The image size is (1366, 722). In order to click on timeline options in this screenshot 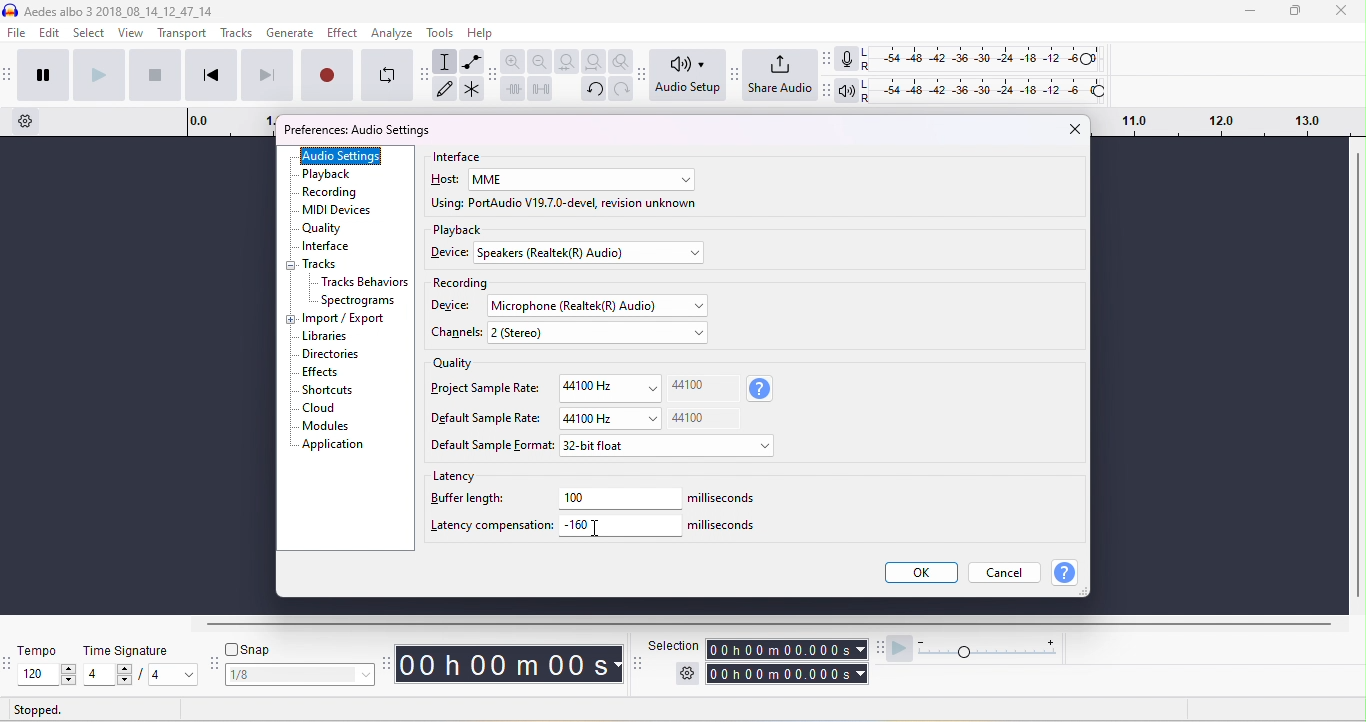, I will do `click(26, 121)`.